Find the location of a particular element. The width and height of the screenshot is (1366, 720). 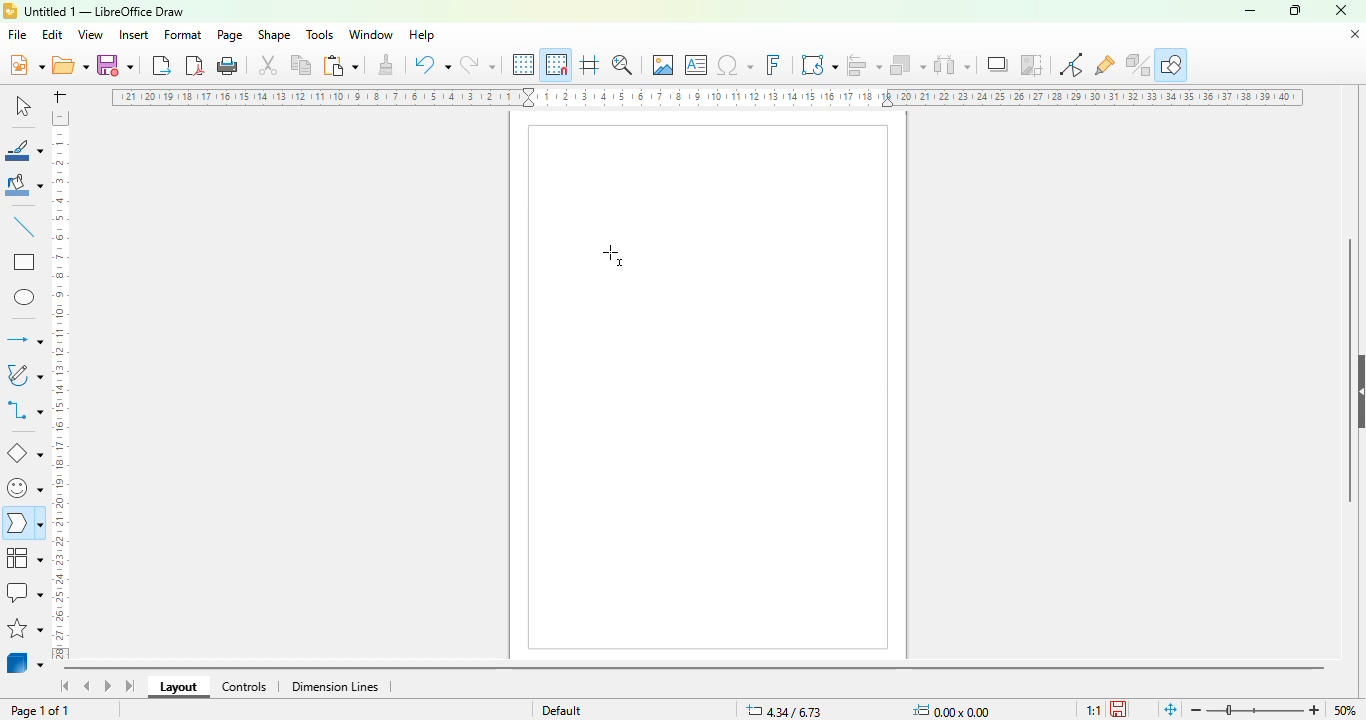

title is located at coordinates (104, 12).